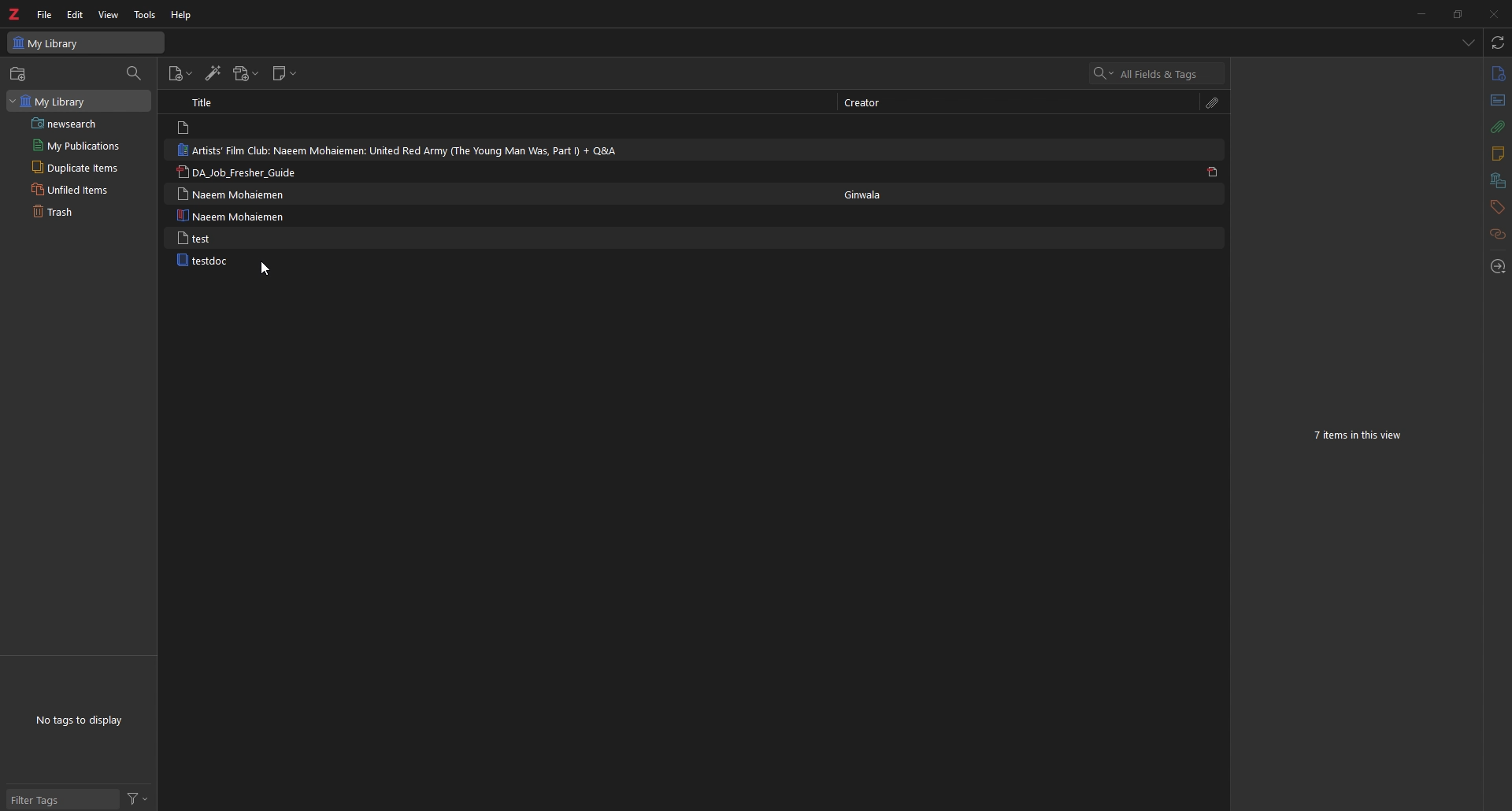  What do you see at coordinates (1497, 154) in the screenshot?
I see `notes` at bounding box center [1497, 154].